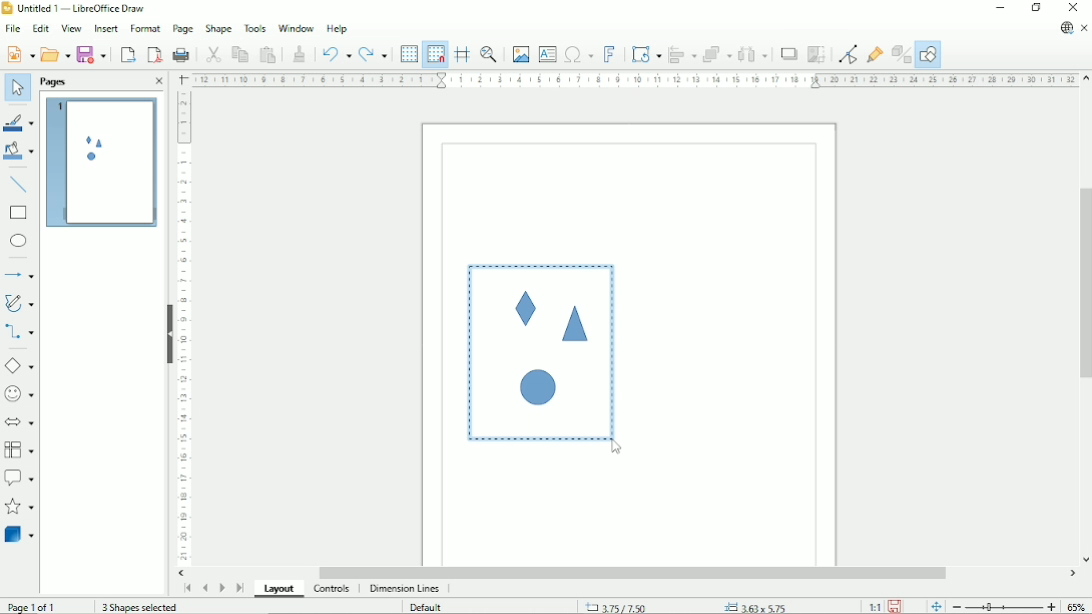 Image resolution: width=1092 pixels, height=614 pixels. Describe the element at coordinates (928, 55) in the screenshot. I see `Show draw functions` at that location.